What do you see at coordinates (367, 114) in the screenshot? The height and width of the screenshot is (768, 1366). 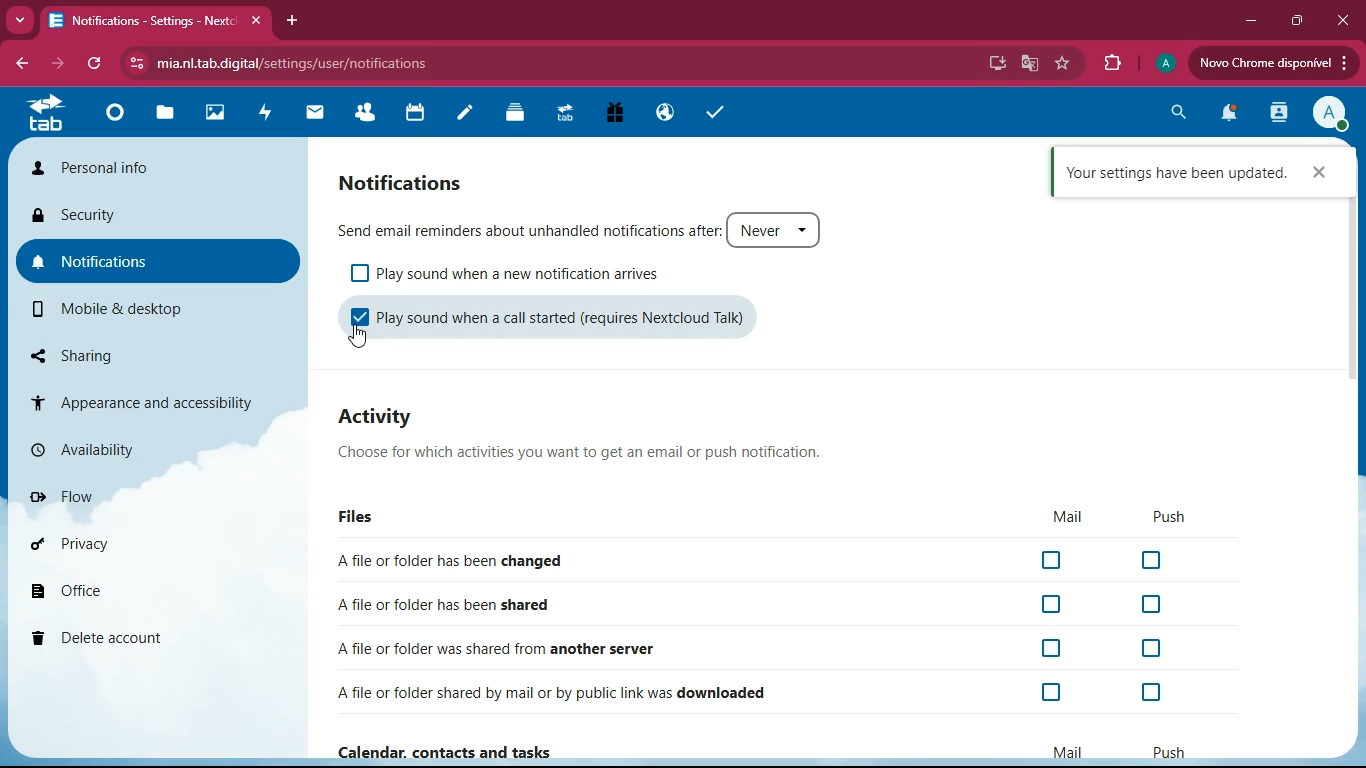 I see `friends` at bounding box center [367, 114].